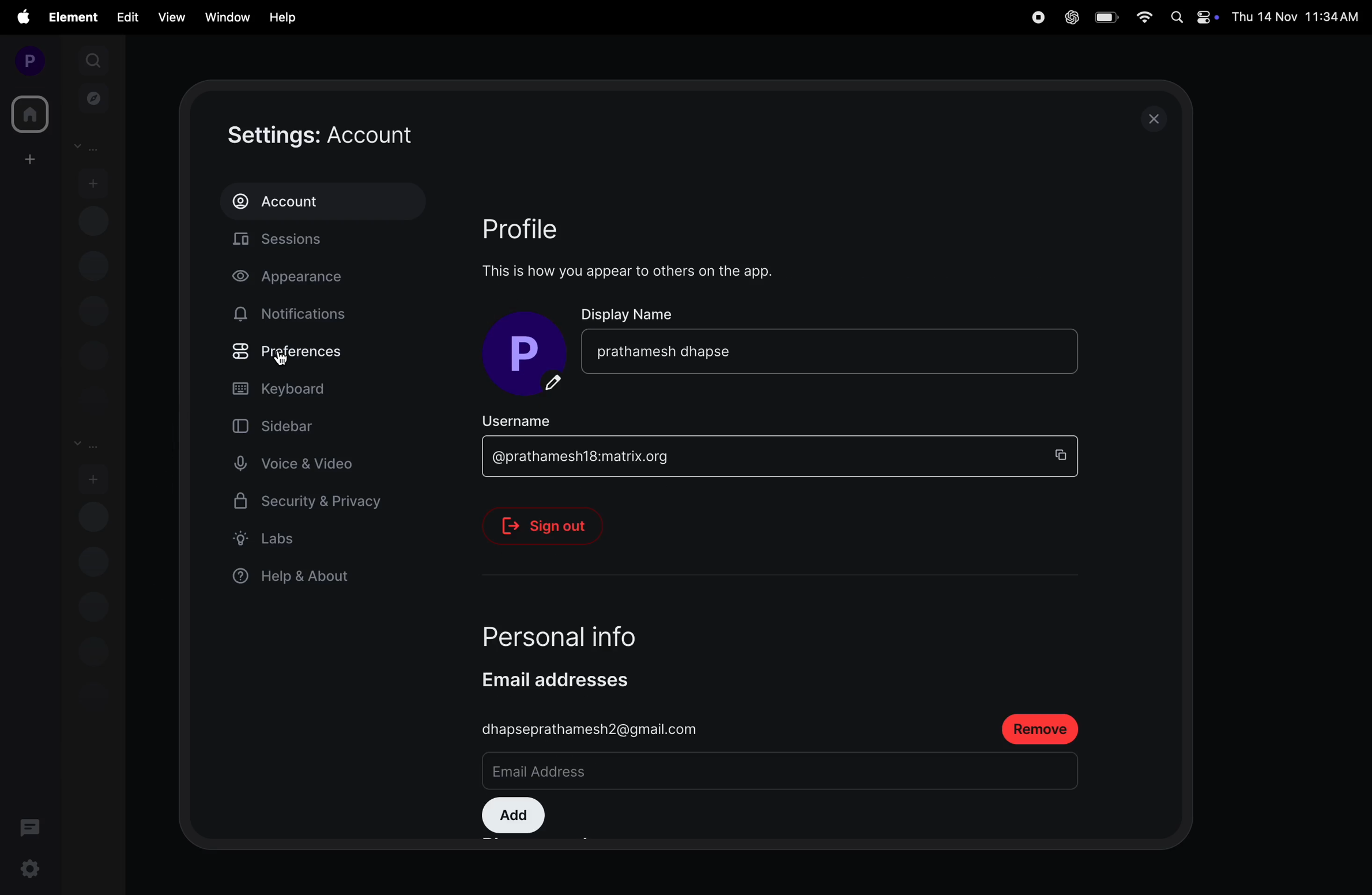  I want to click on people, so click(86, 148).